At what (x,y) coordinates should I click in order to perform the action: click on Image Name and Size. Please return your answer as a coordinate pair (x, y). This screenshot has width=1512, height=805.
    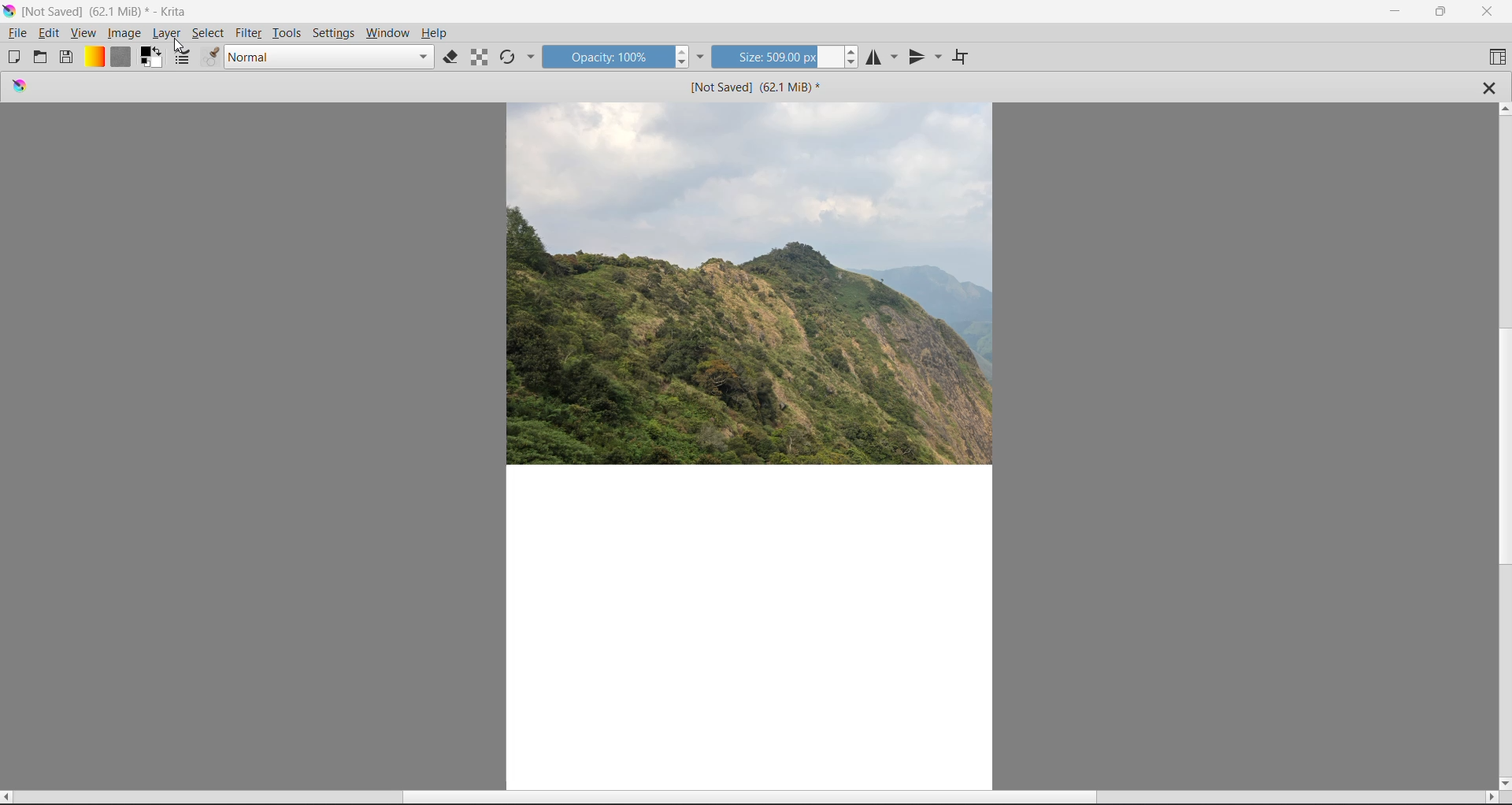
    Looking at the image, I should click on (753, 87).